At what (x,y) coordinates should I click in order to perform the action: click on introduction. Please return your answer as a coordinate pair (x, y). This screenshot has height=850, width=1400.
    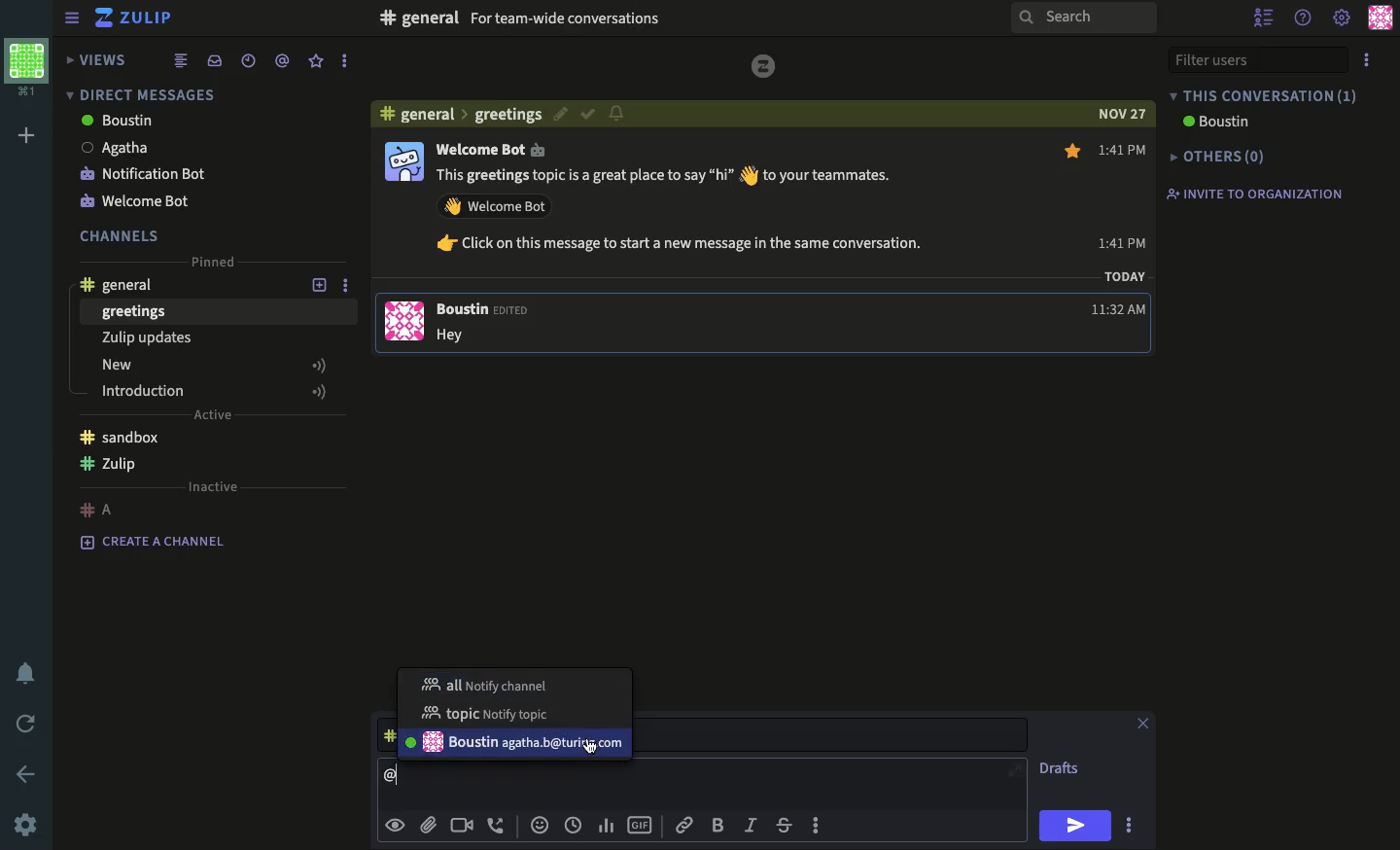
    Looking at the image, I should click on (216, 391).